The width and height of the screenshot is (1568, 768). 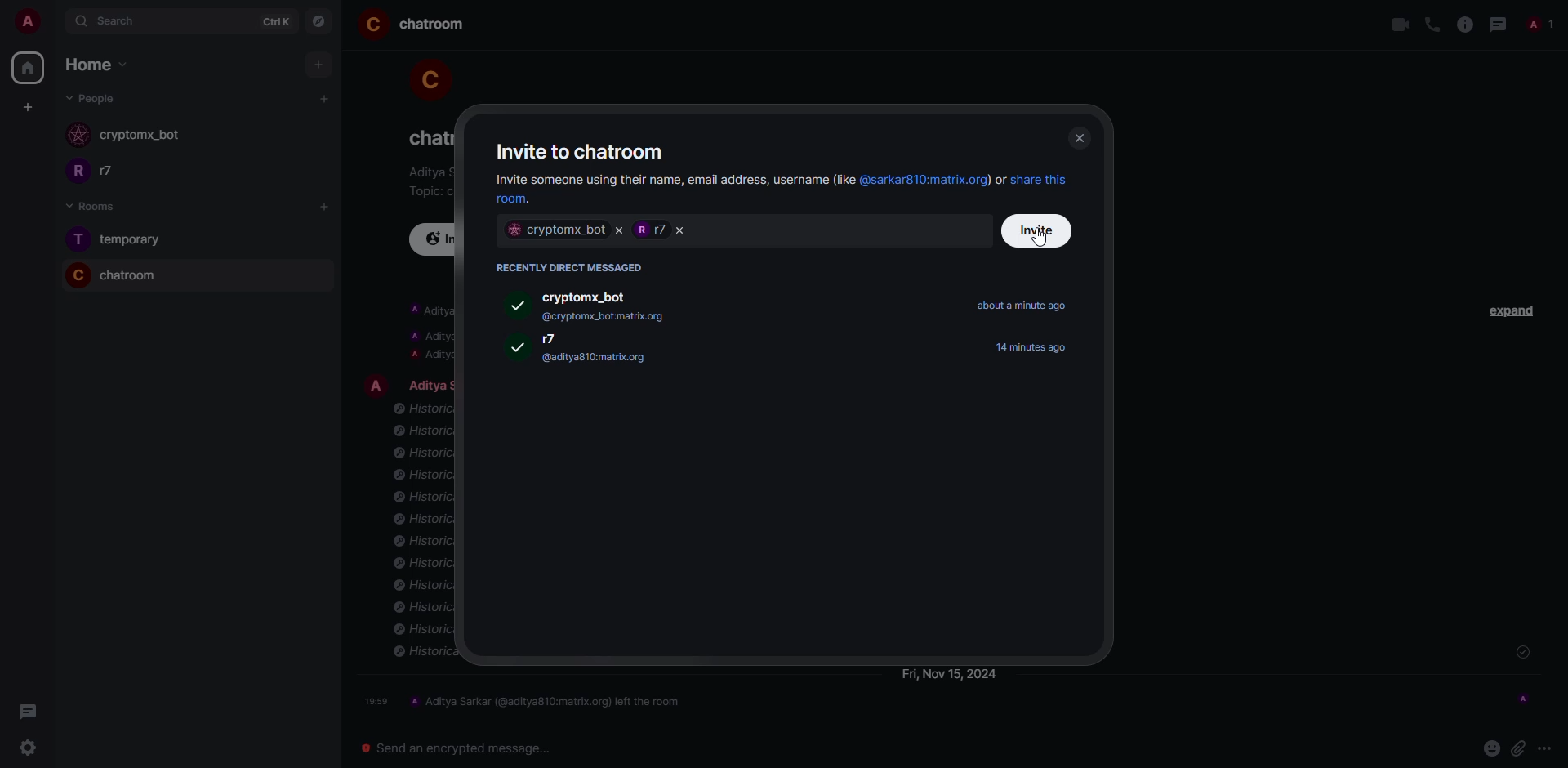 What do you see at coordinates (519, 346) in the screenshot?
I see `selected` at bounding box center [519, 346].